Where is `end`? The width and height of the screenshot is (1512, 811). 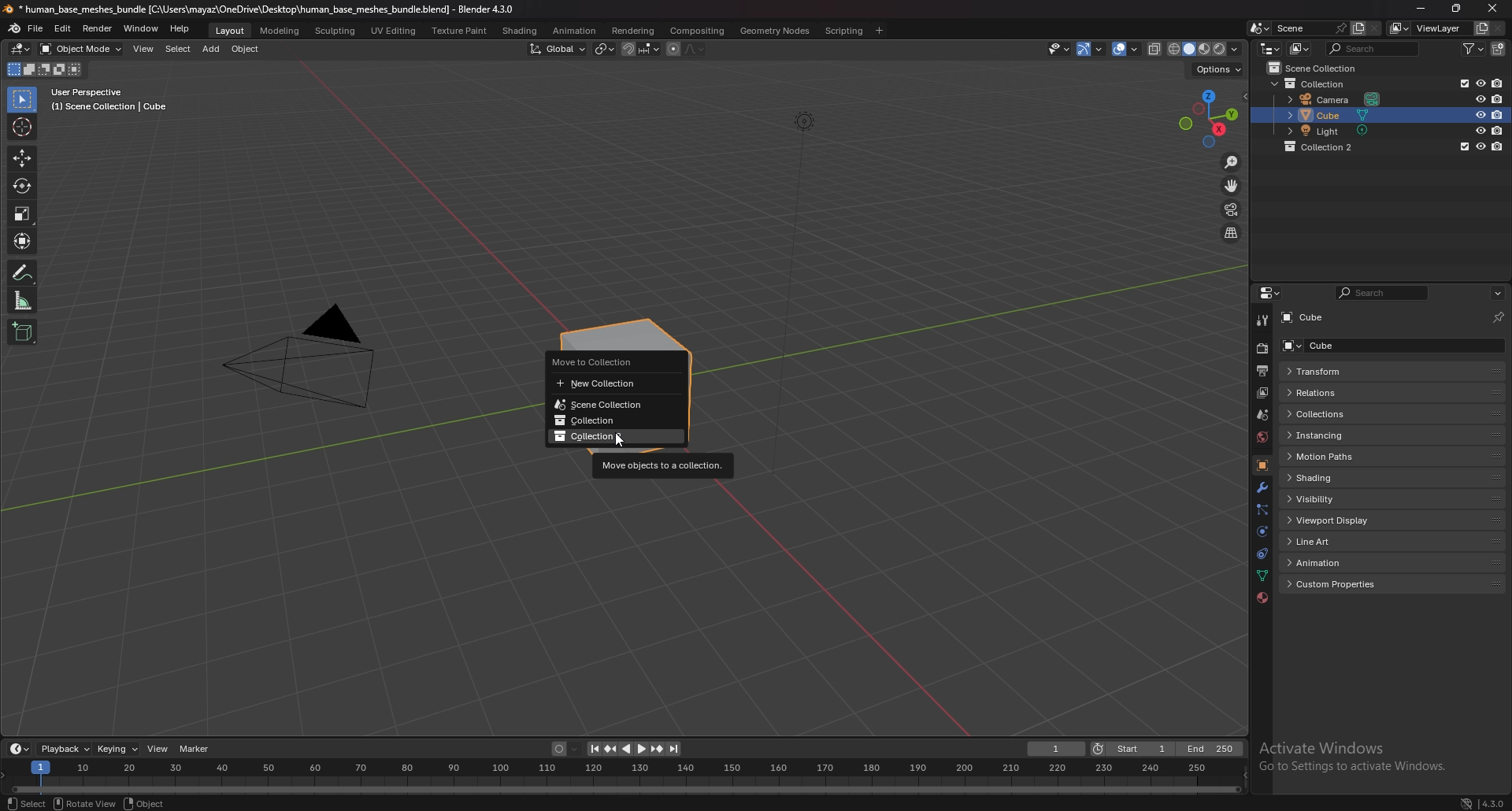 end is located at coordinates (1210, 749).